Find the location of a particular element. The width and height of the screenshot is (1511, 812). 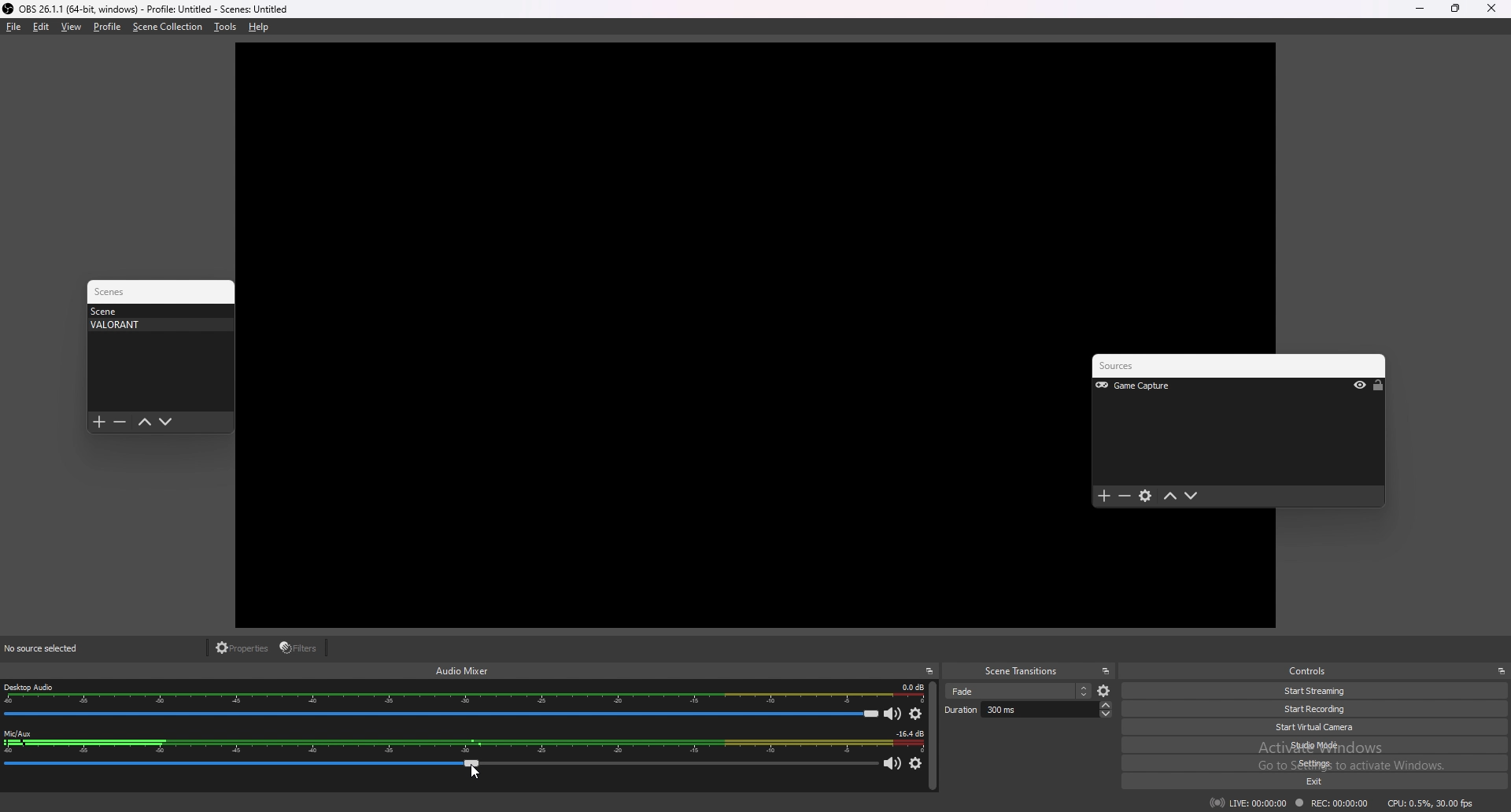

move down is located at coordinates (166, 423).